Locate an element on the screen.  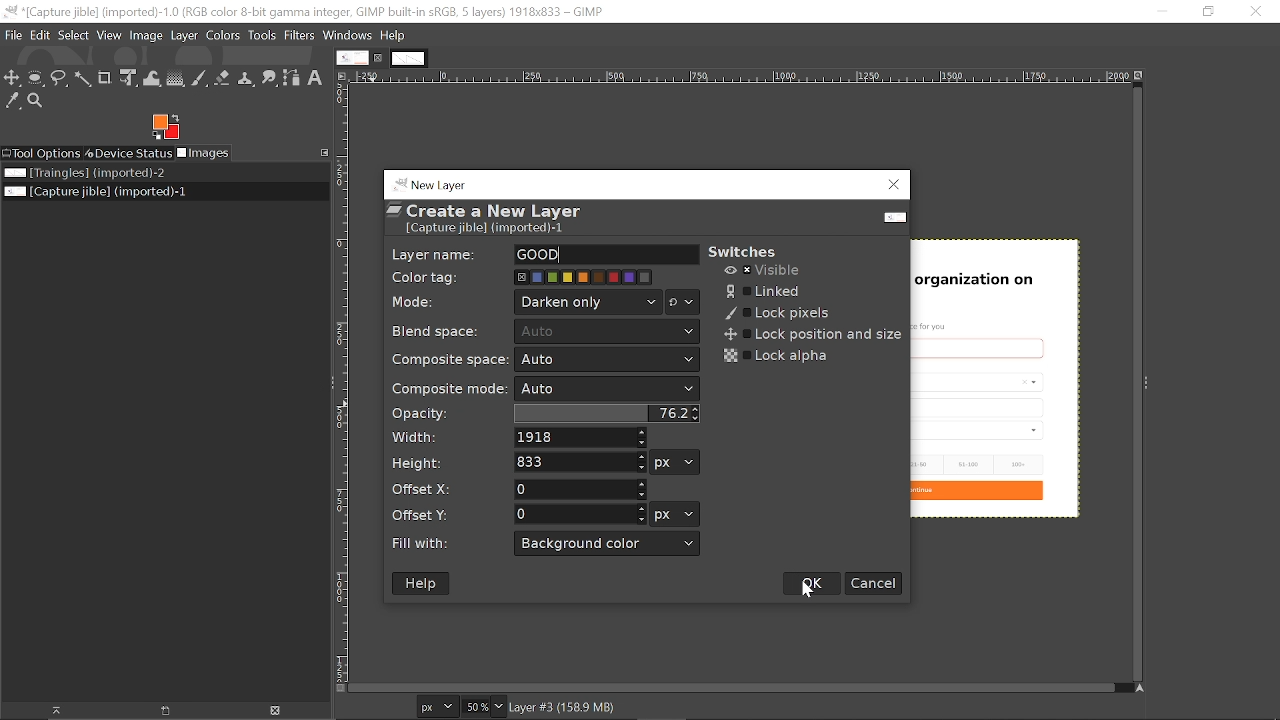
Close is located at coordinates (894, 186).